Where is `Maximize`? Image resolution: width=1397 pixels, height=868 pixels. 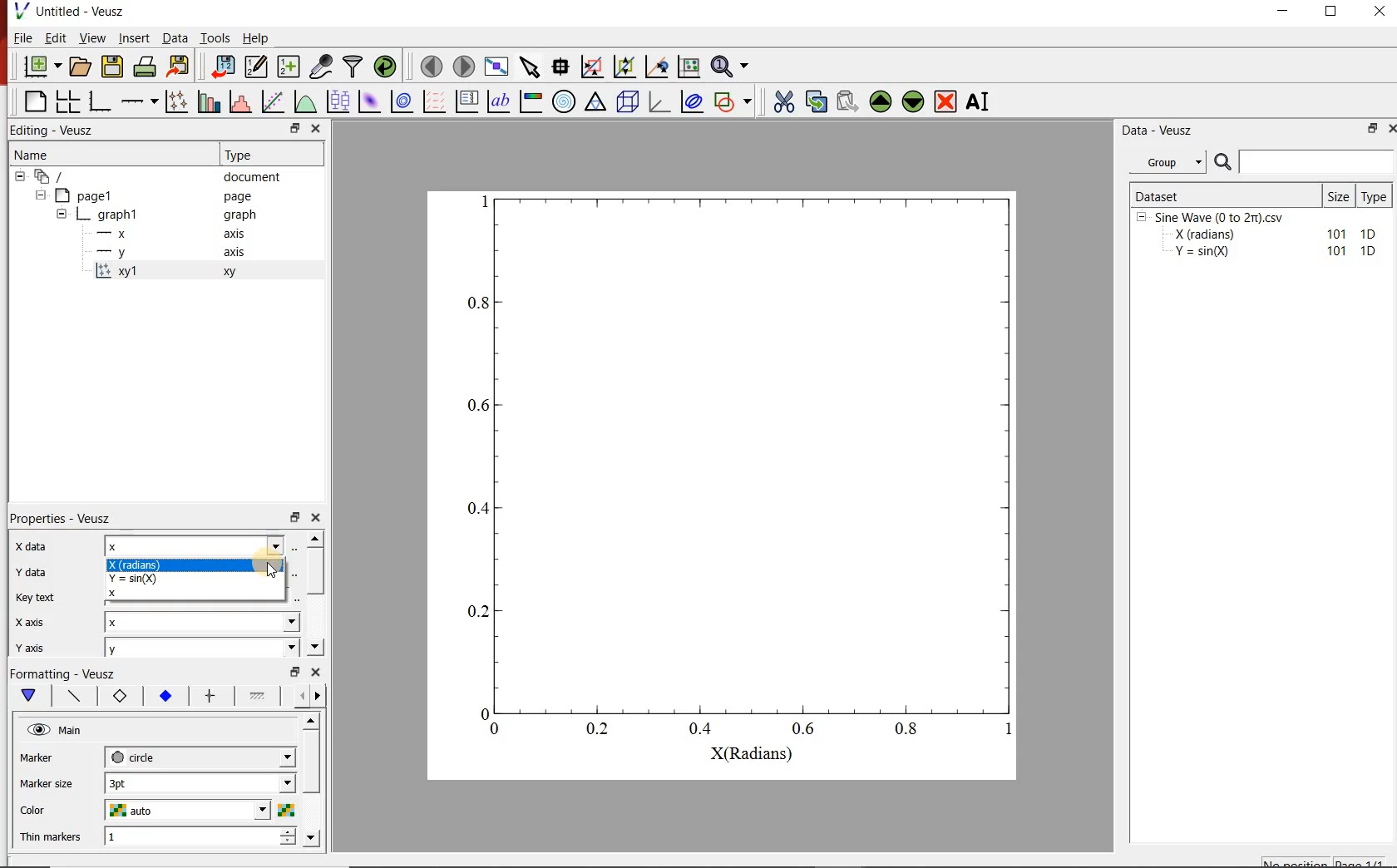 Maximize is located at coordinates (1332, 12).